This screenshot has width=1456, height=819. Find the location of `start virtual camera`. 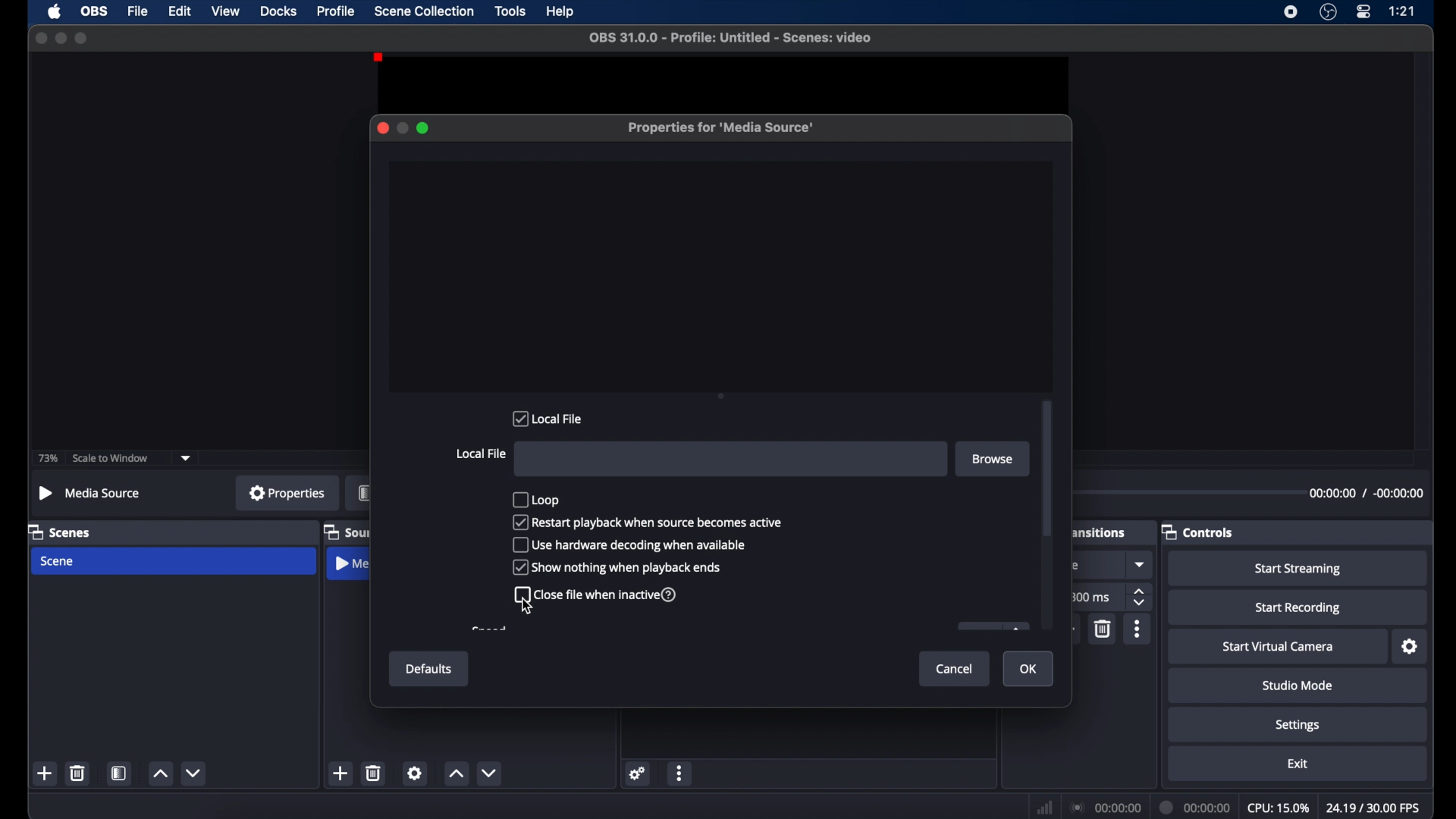

start virtual camera is located at coordinates (1275, 645).